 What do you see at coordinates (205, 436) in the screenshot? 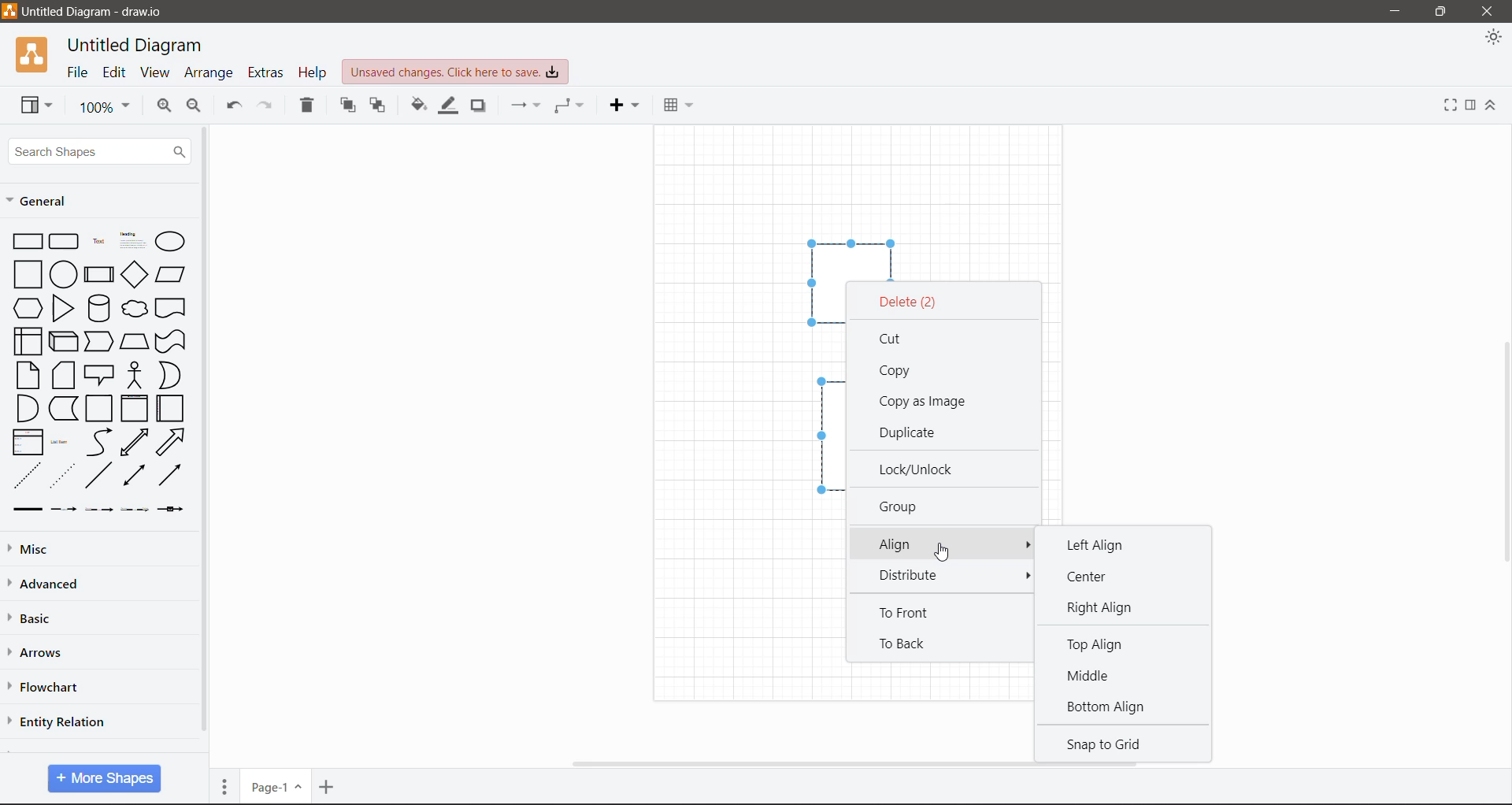
I see `Vertical Scroll Bar` at bounding box center [205, 436].